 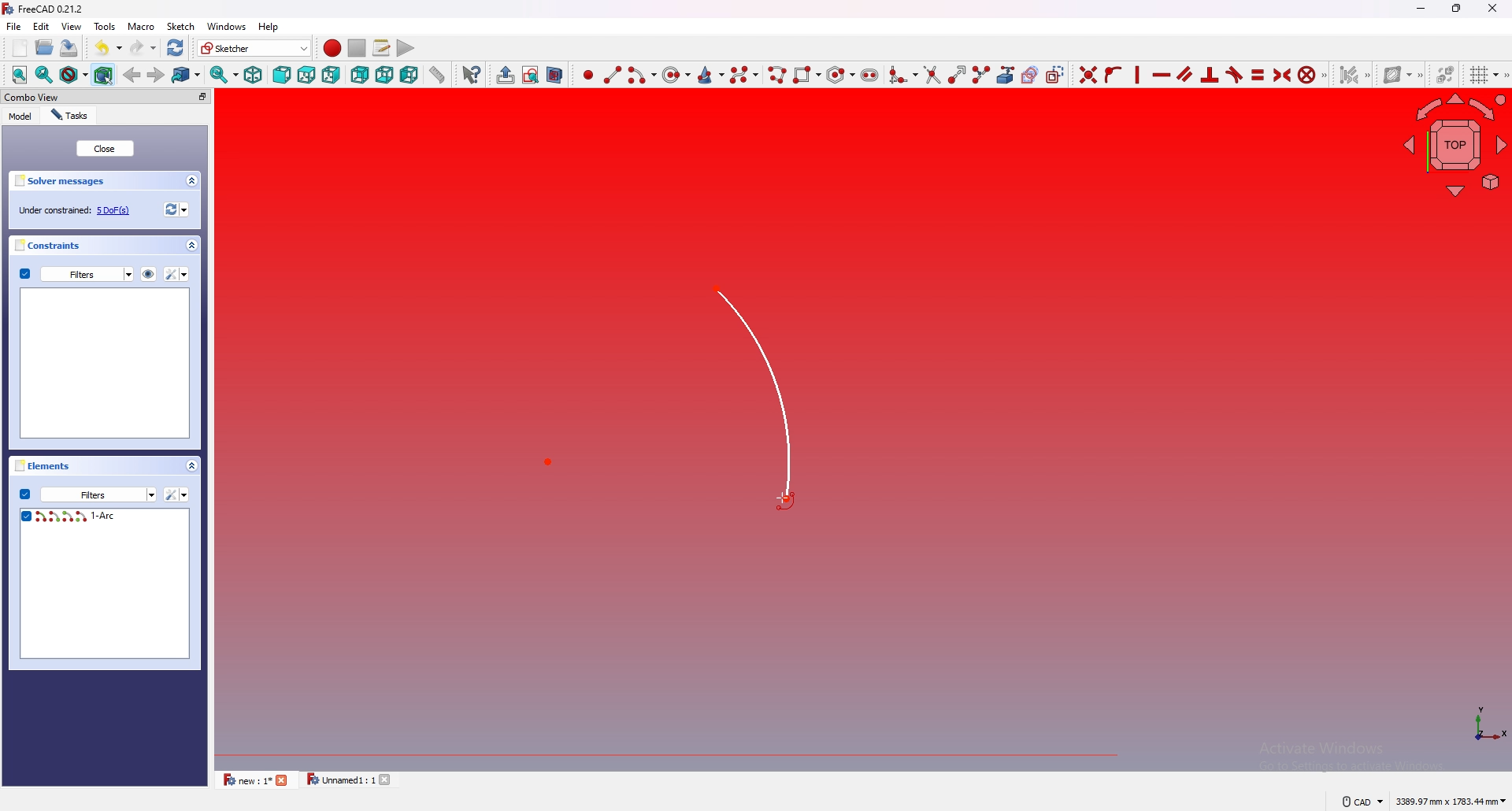 I want to click on close, so click(x=283, y=780).